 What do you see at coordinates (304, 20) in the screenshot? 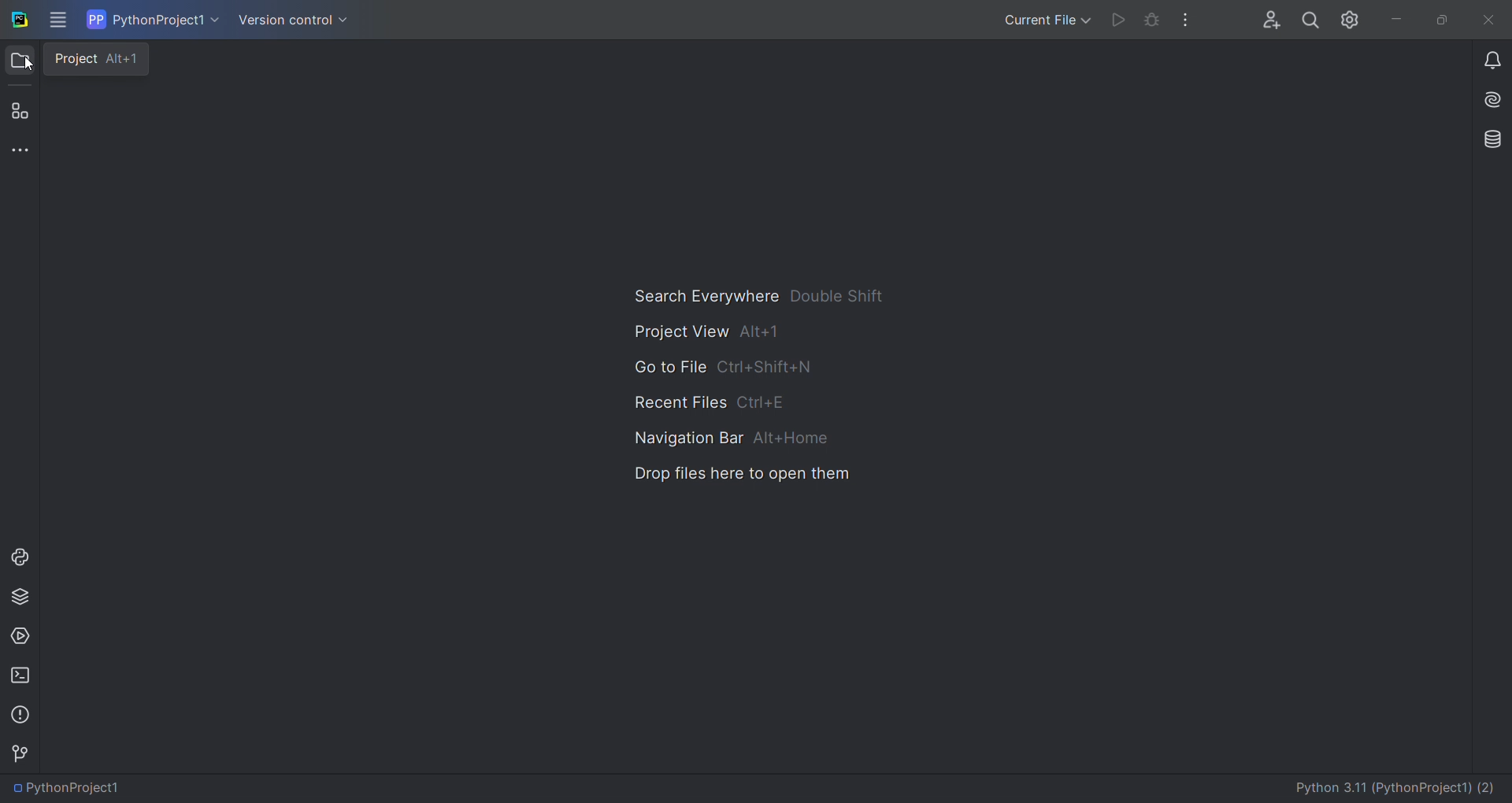
I see `version control` at bounding box center [304, 20].